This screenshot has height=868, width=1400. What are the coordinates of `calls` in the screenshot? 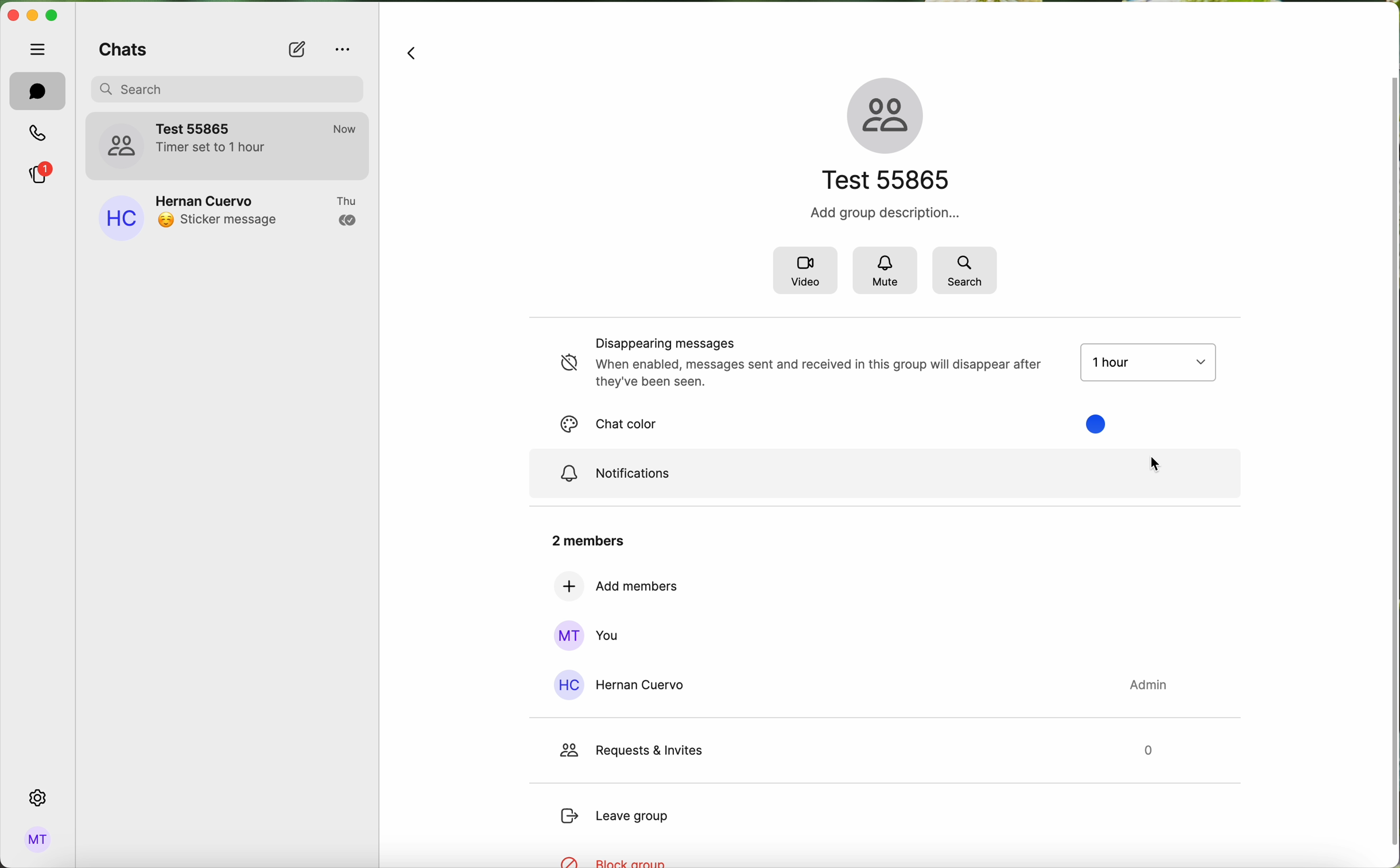 It's located at (39, 133).